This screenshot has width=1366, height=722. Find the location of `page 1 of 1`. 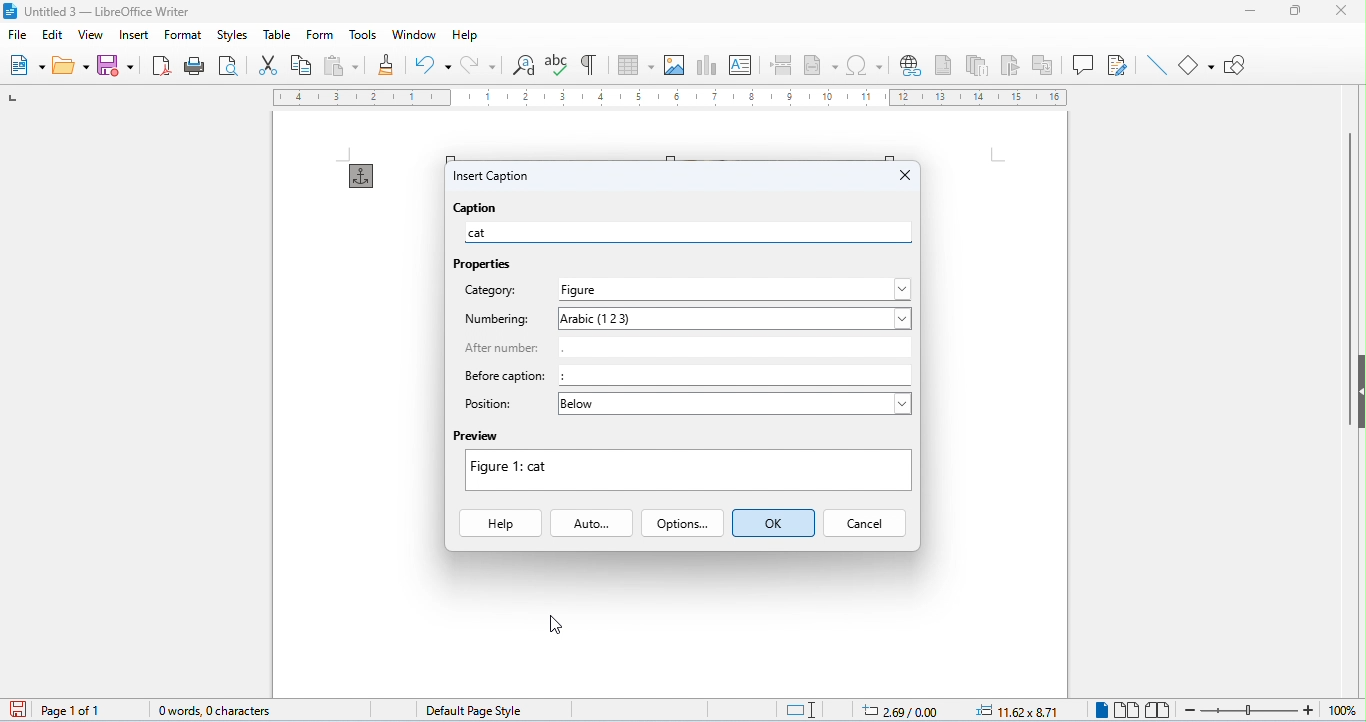

page 1 of 1 is located at coordinates (72, 710).